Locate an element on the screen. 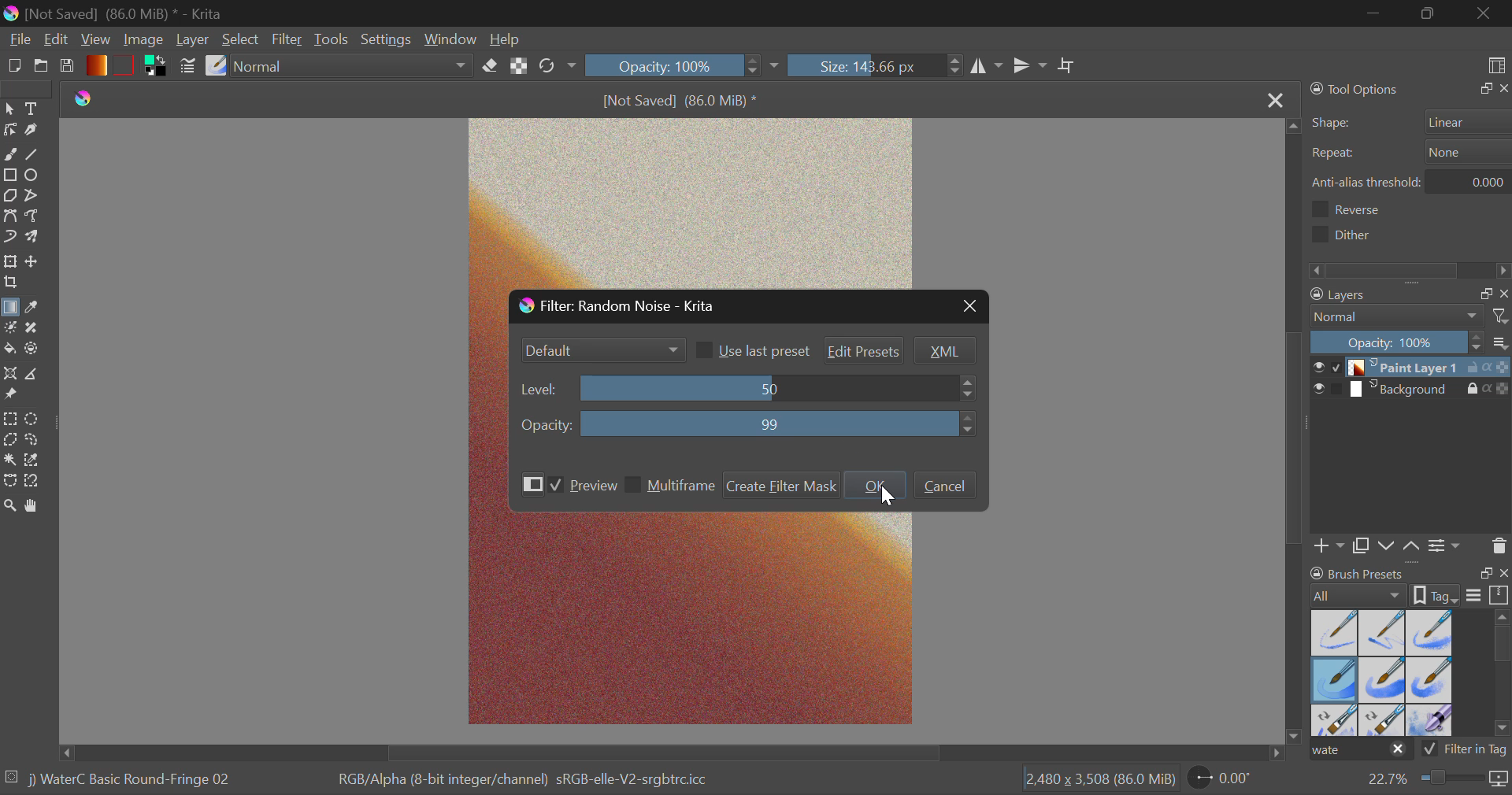 This screenshot has height=795, width=1512. Bezier Curve Selection is located at coordinates (10, 482).